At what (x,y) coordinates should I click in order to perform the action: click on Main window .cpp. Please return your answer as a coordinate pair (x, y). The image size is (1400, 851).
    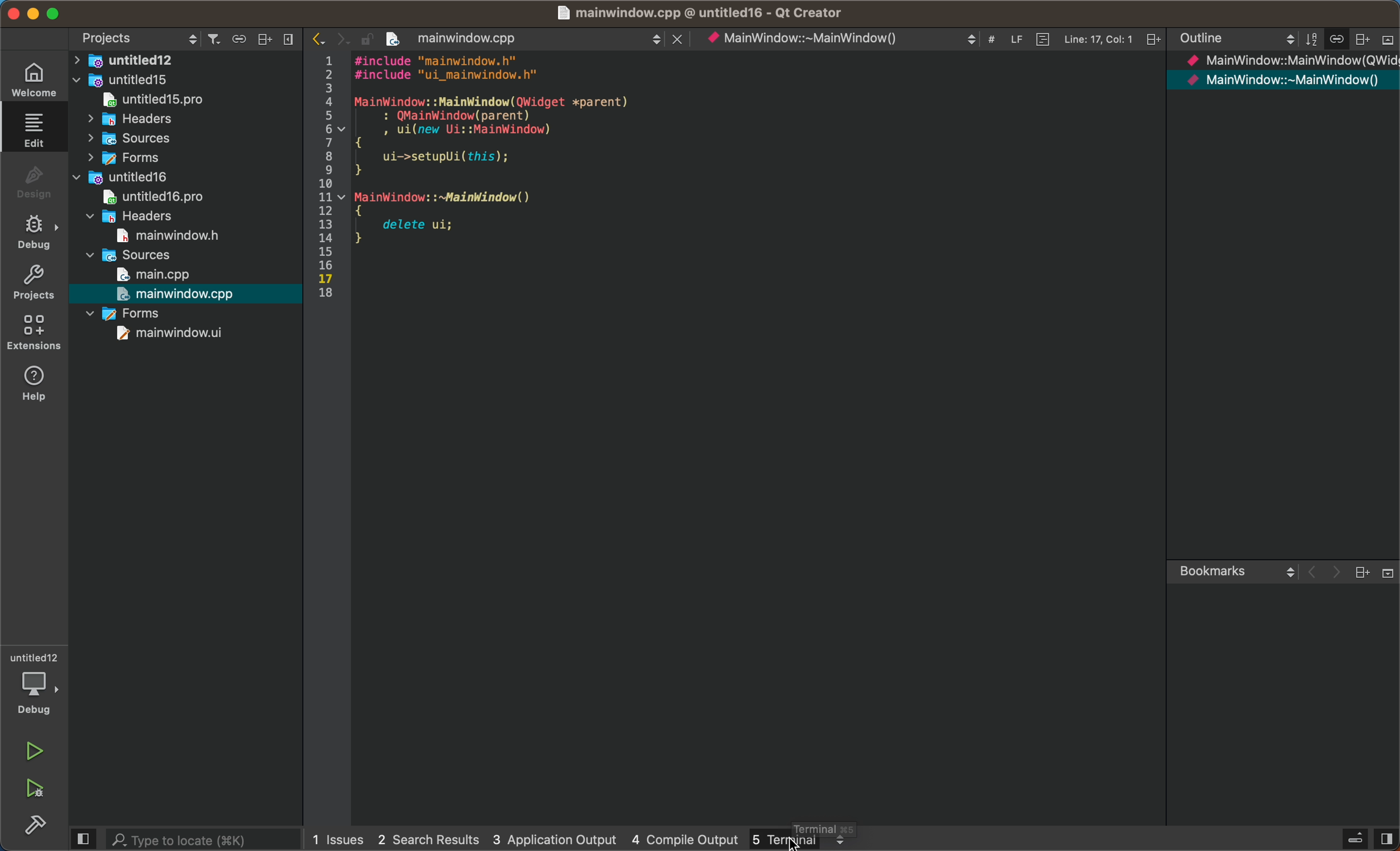
    Looking at the image, I should click on (699, 14).